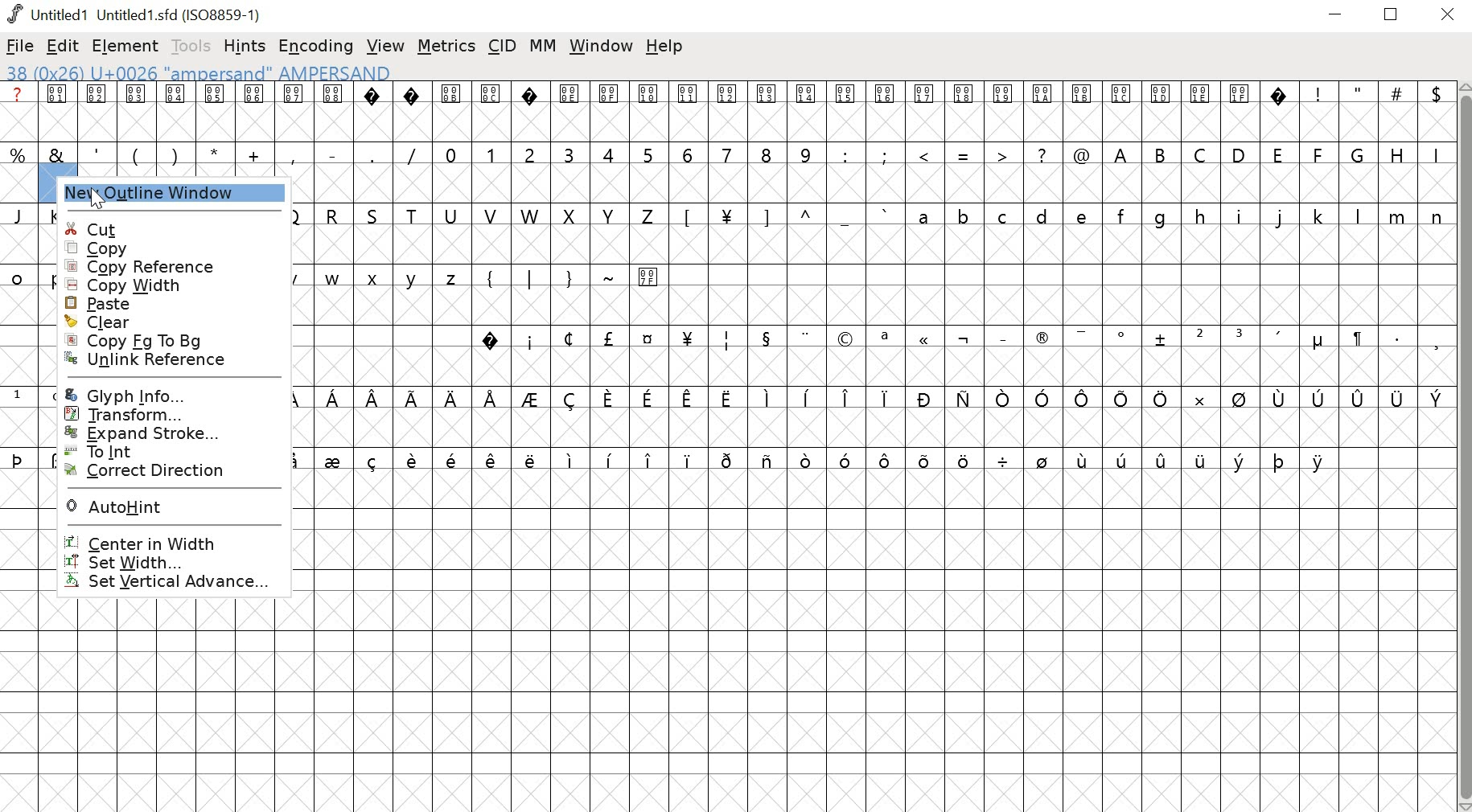  Describe the element at coordinates (199, 71) in the screenshot. I see `38 (0x26) LU+0026 "amber<and” AMPERSAND` at that location.